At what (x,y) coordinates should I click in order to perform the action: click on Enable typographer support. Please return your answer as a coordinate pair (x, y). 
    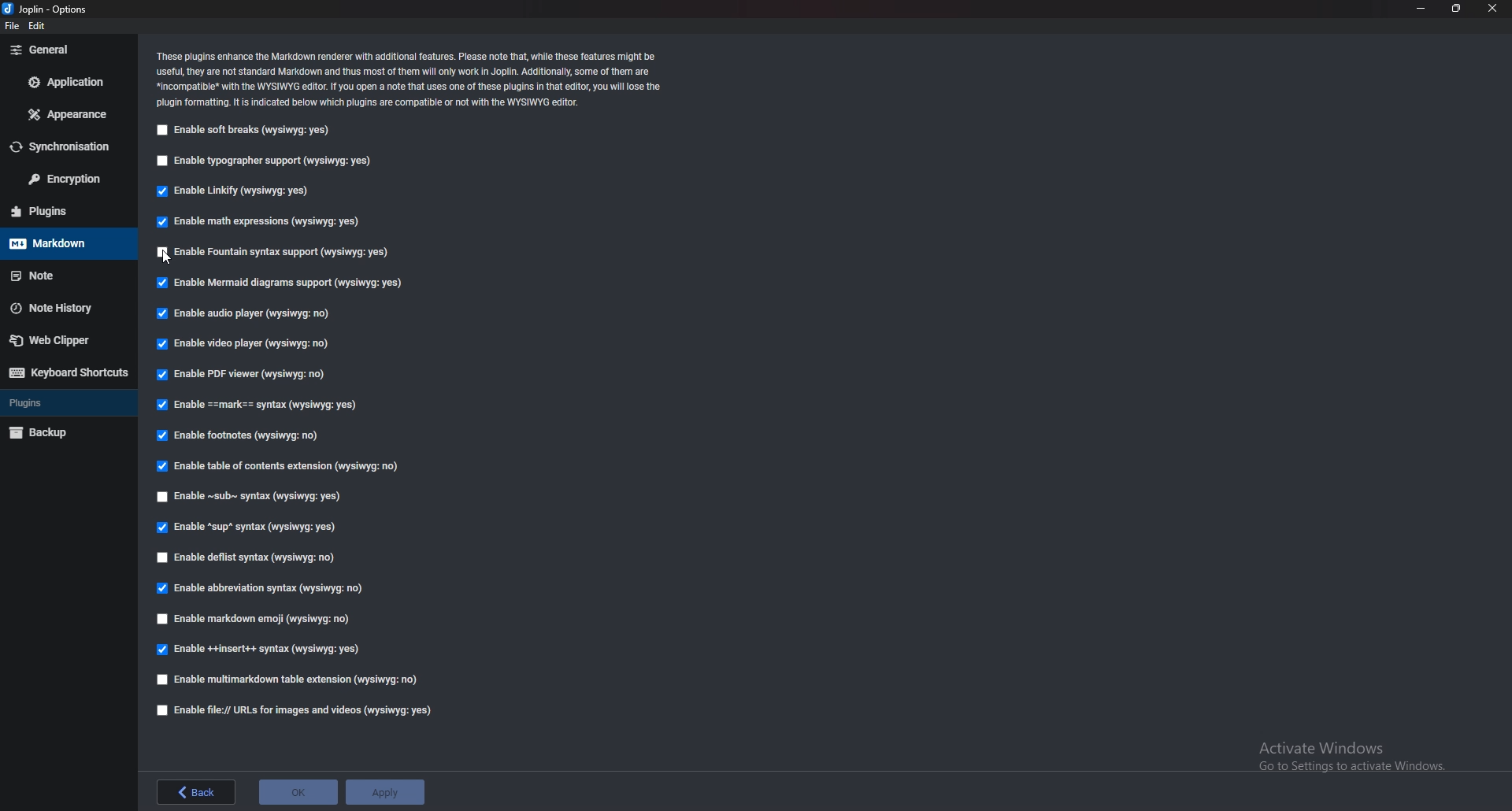
    Looking at the image, I should click on (268, 162).